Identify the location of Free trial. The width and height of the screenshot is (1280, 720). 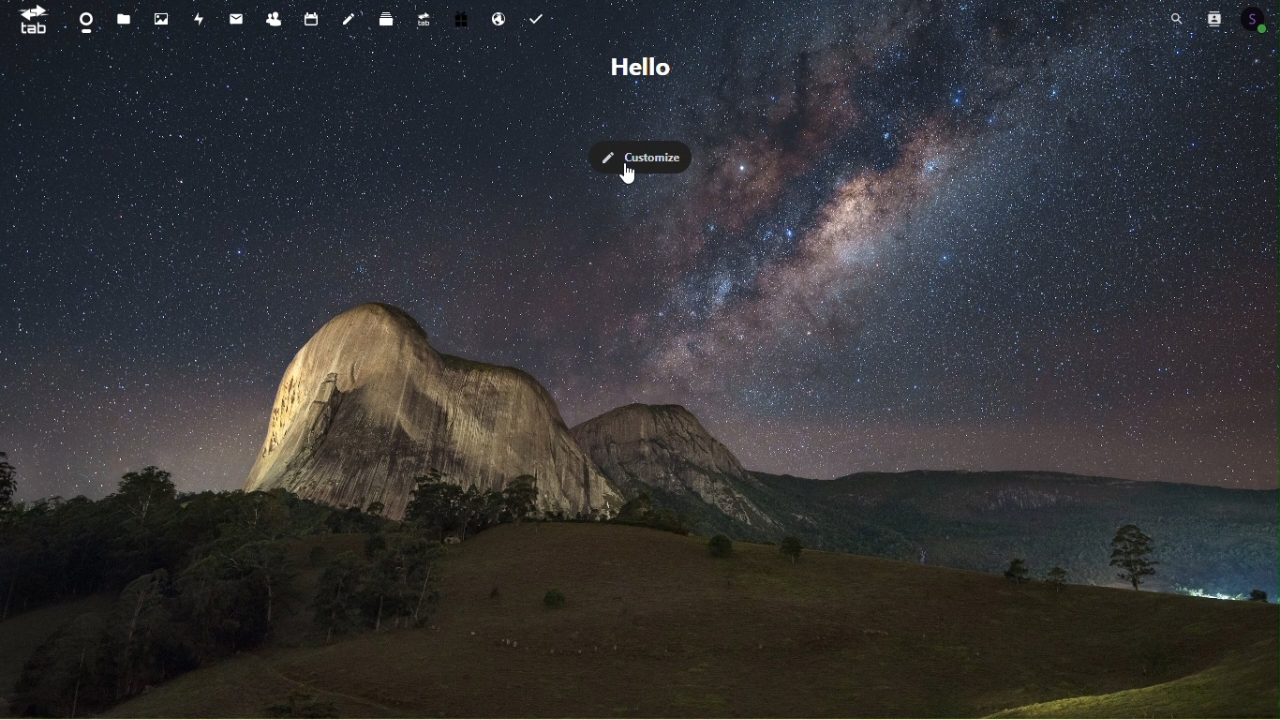
(456, 18).